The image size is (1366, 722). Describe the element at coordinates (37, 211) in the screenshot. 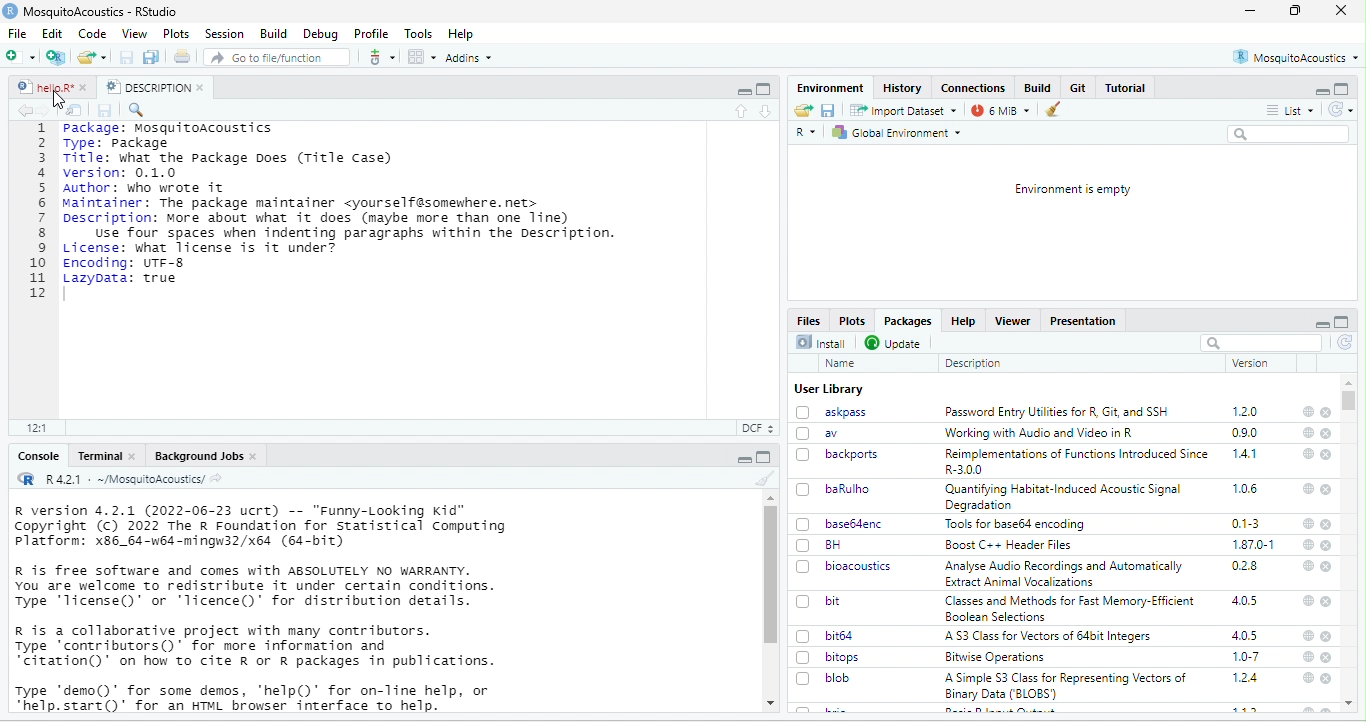

I see `numbering line` at that location.